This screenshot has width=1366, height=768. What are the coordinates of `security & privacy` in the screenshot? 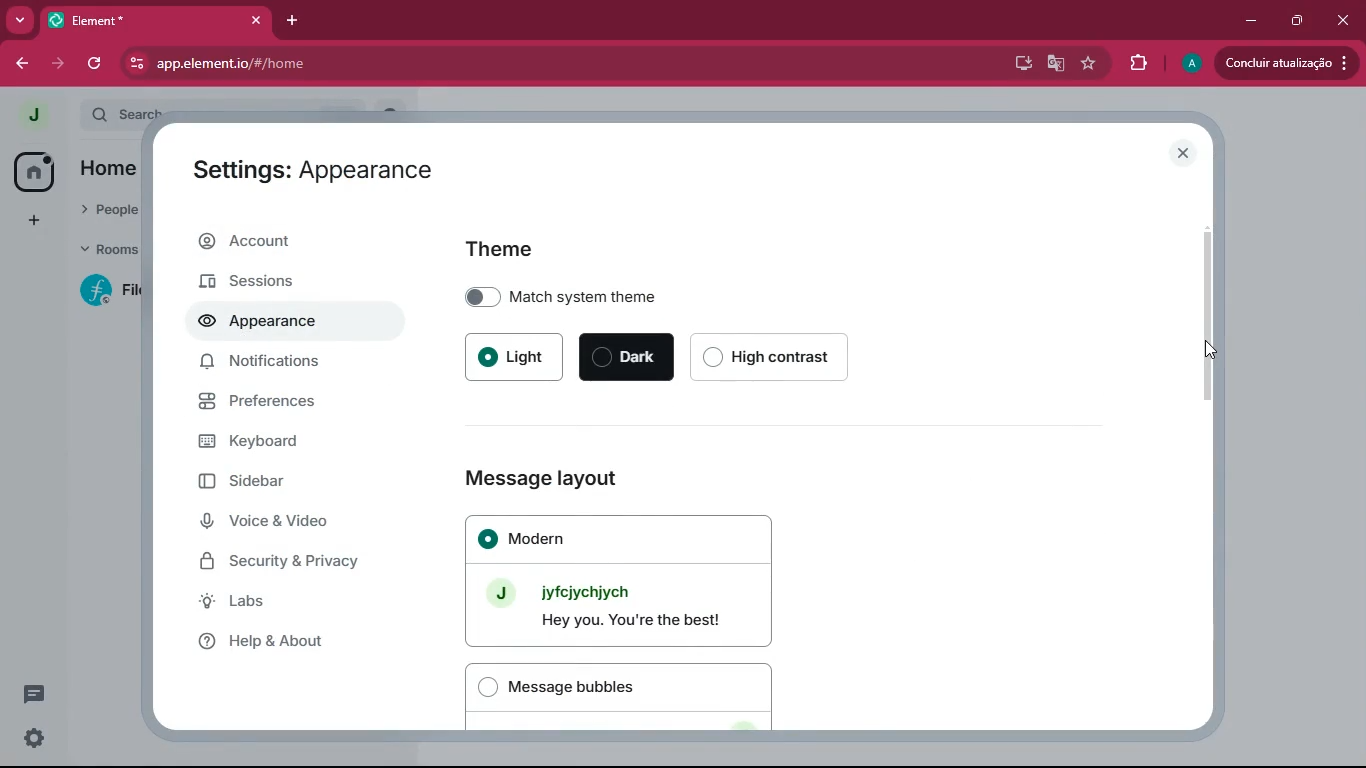 It's located at (285, 560).